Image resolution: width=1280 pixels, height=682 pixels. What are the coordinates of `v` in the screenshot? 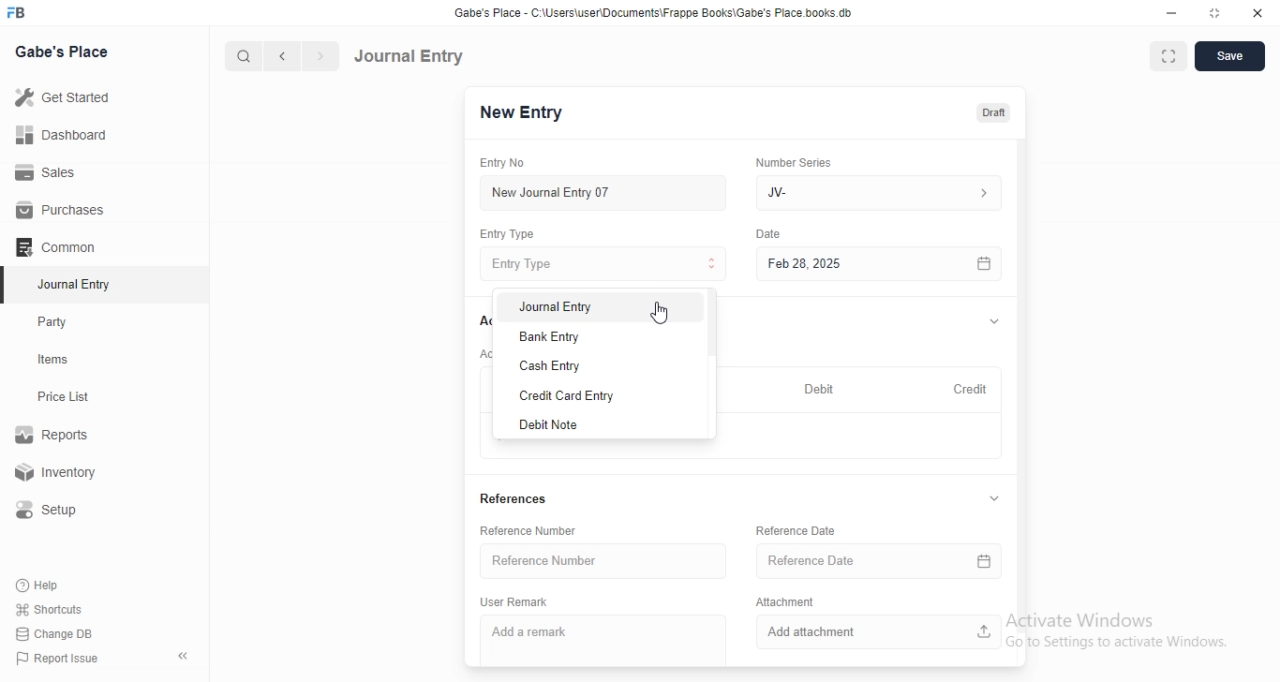 It's located at (994, 318).